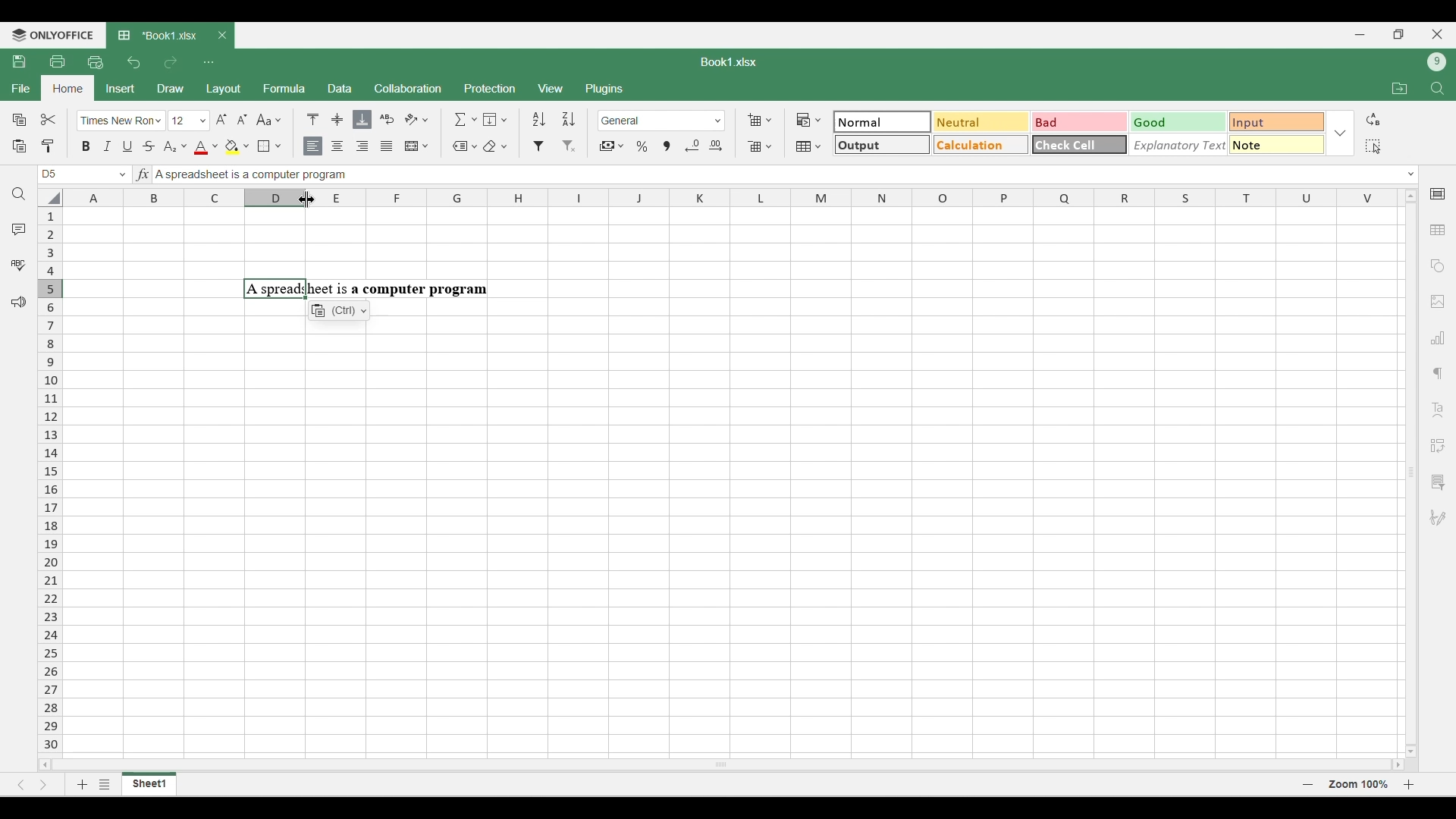 The width and height of the screenshot is (1456, 819). I want to click on Fill color, so click(237, 147).